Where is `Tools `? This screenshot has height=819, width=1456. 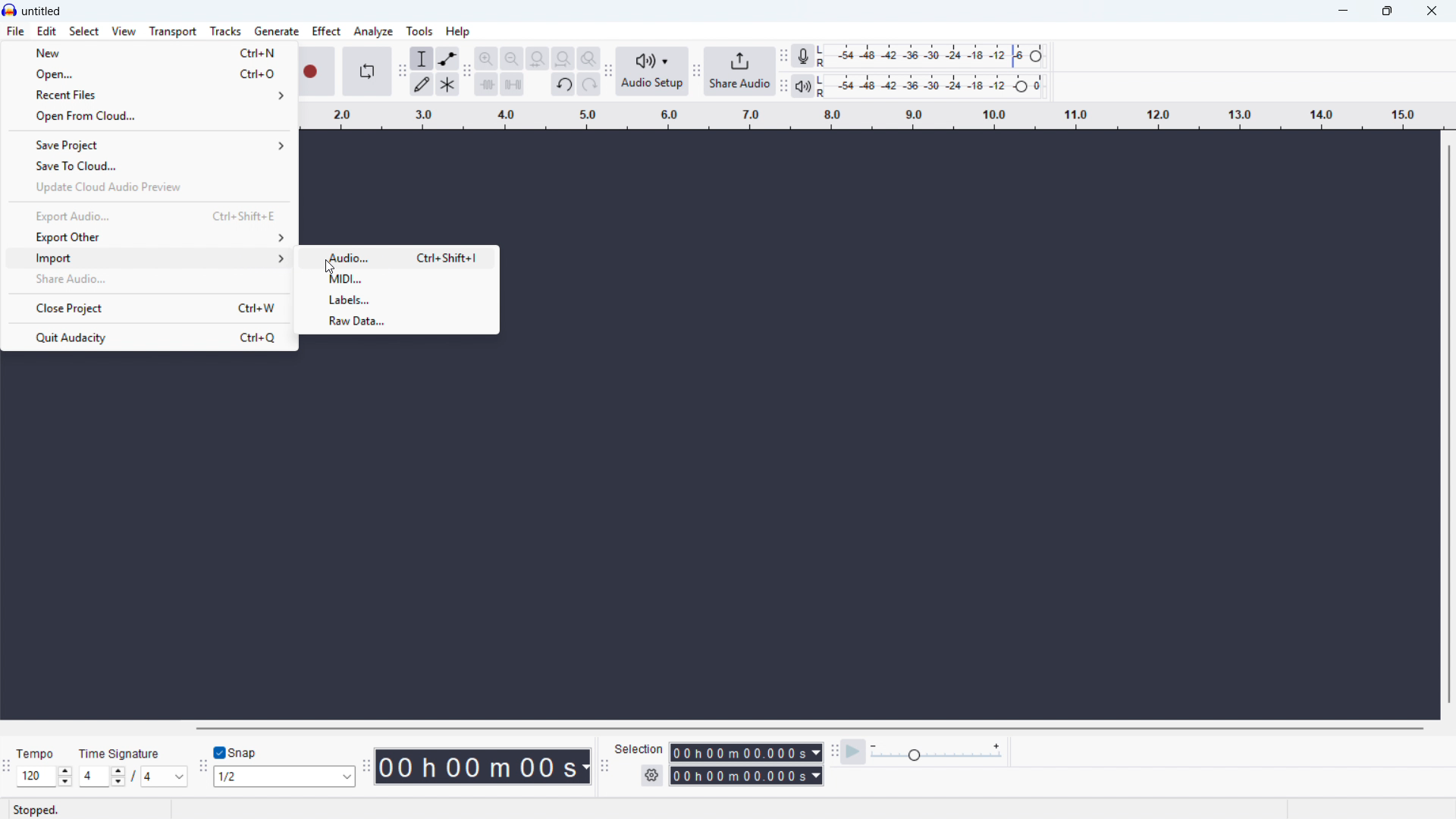
Tools  is located at coordinates (420, 30).